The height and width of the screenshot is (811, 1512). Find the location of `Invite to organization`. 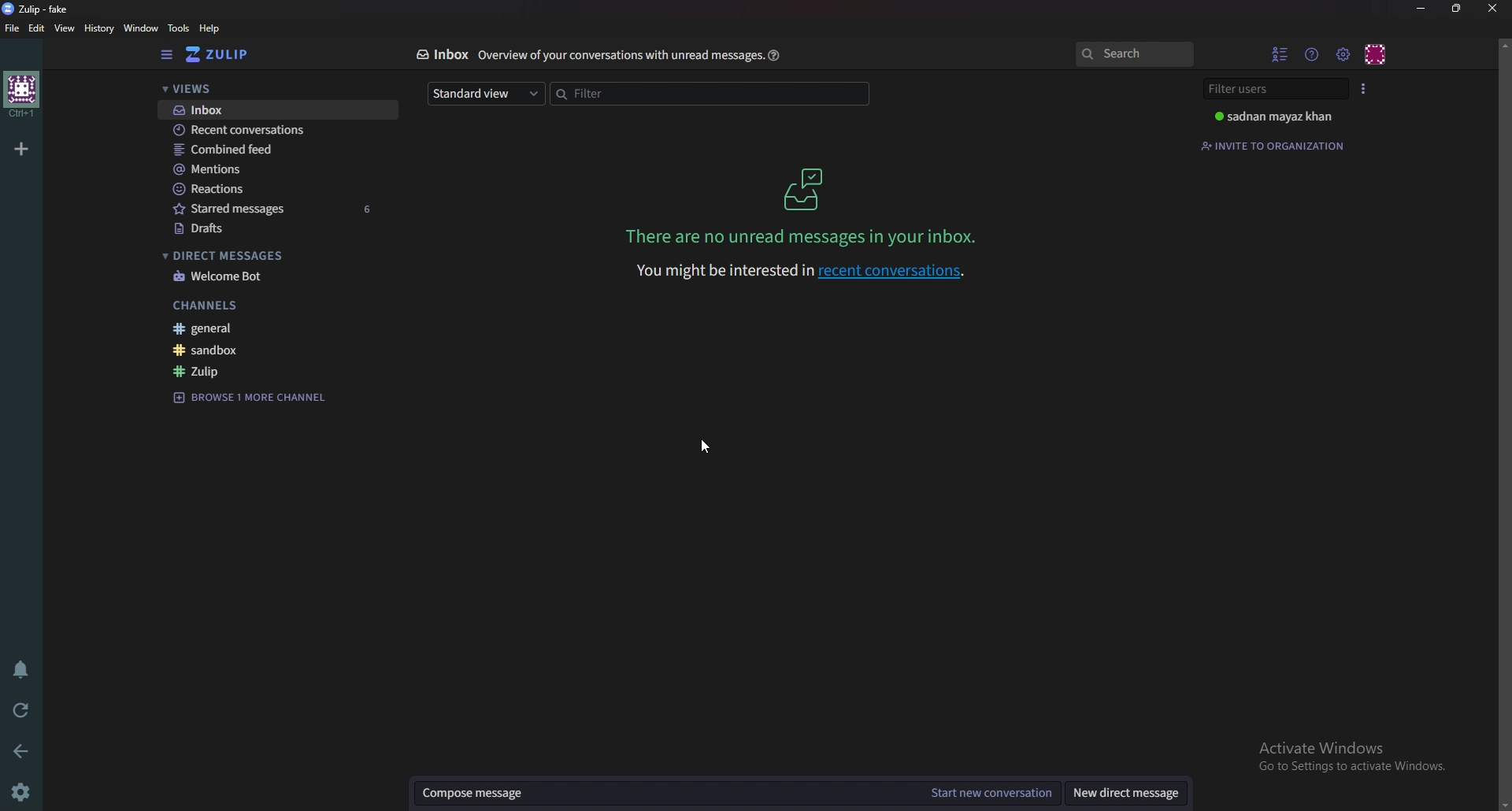

Invite to organization is located at coordinates (1275, 145).